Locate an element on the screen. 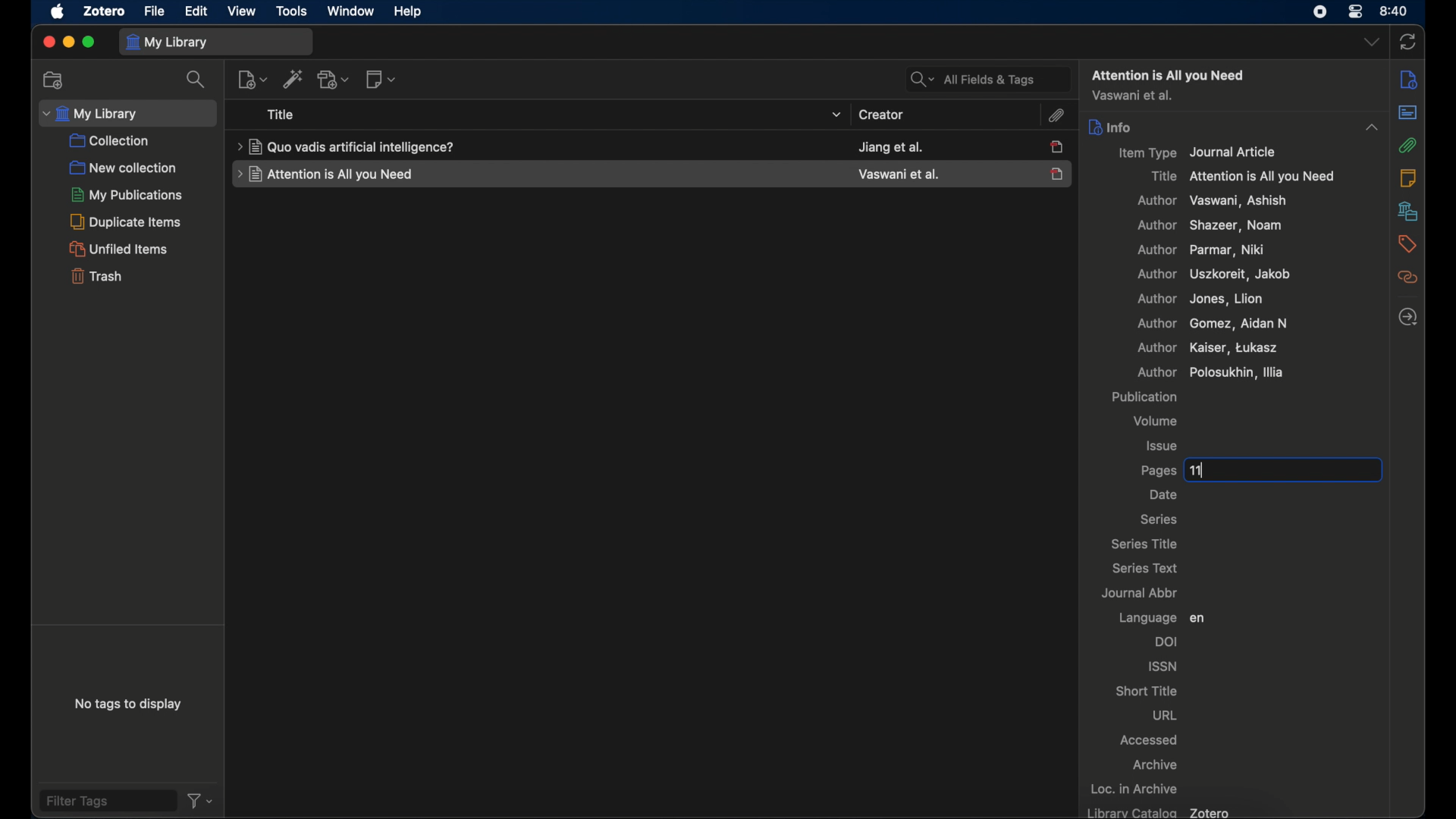  screen recorder is located at coordinates (1322, 11).